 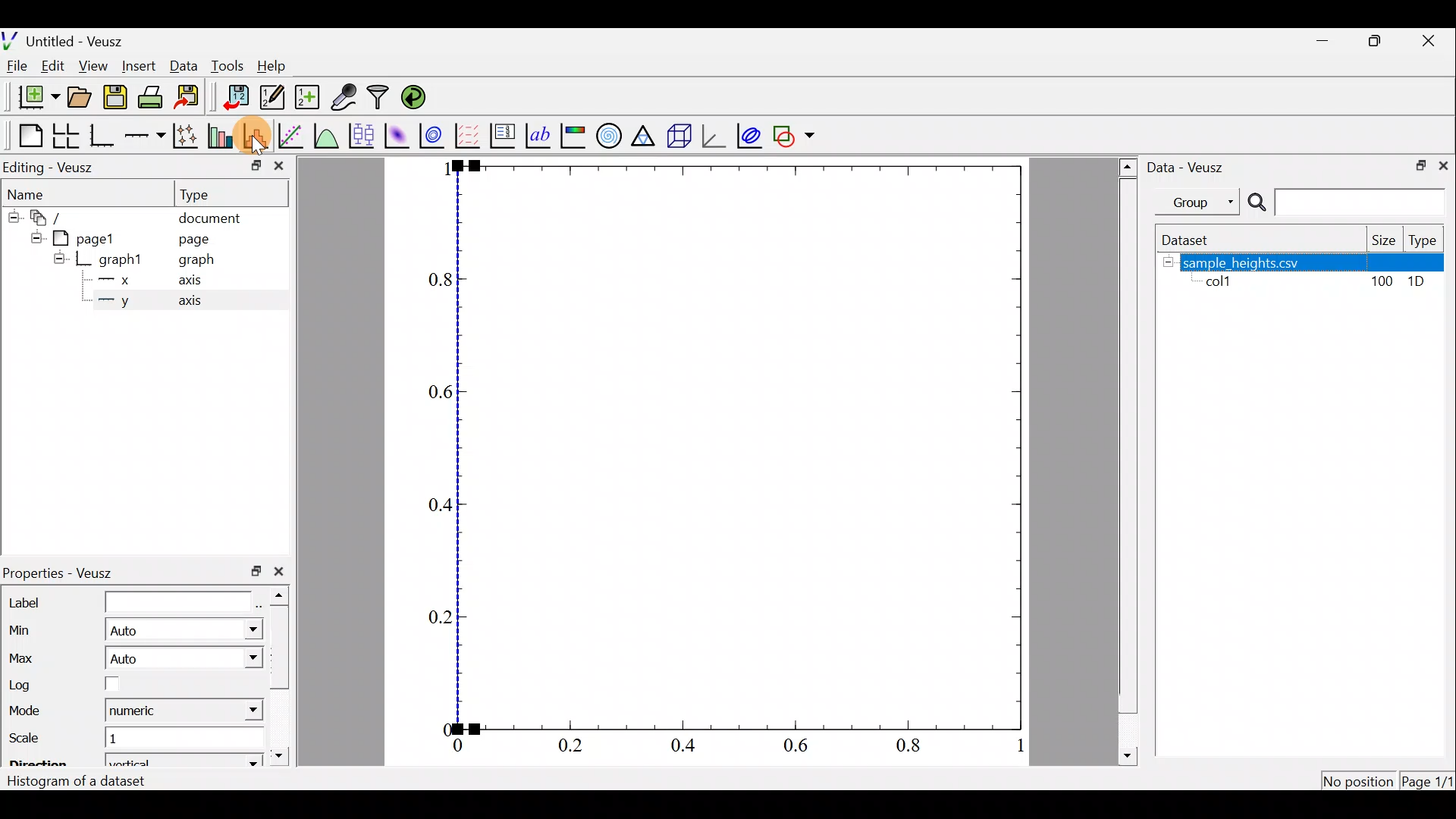 What do you see at coordinates (78, 99) in the screenshot?
I see `open a document` at bounding box center [78, 99].